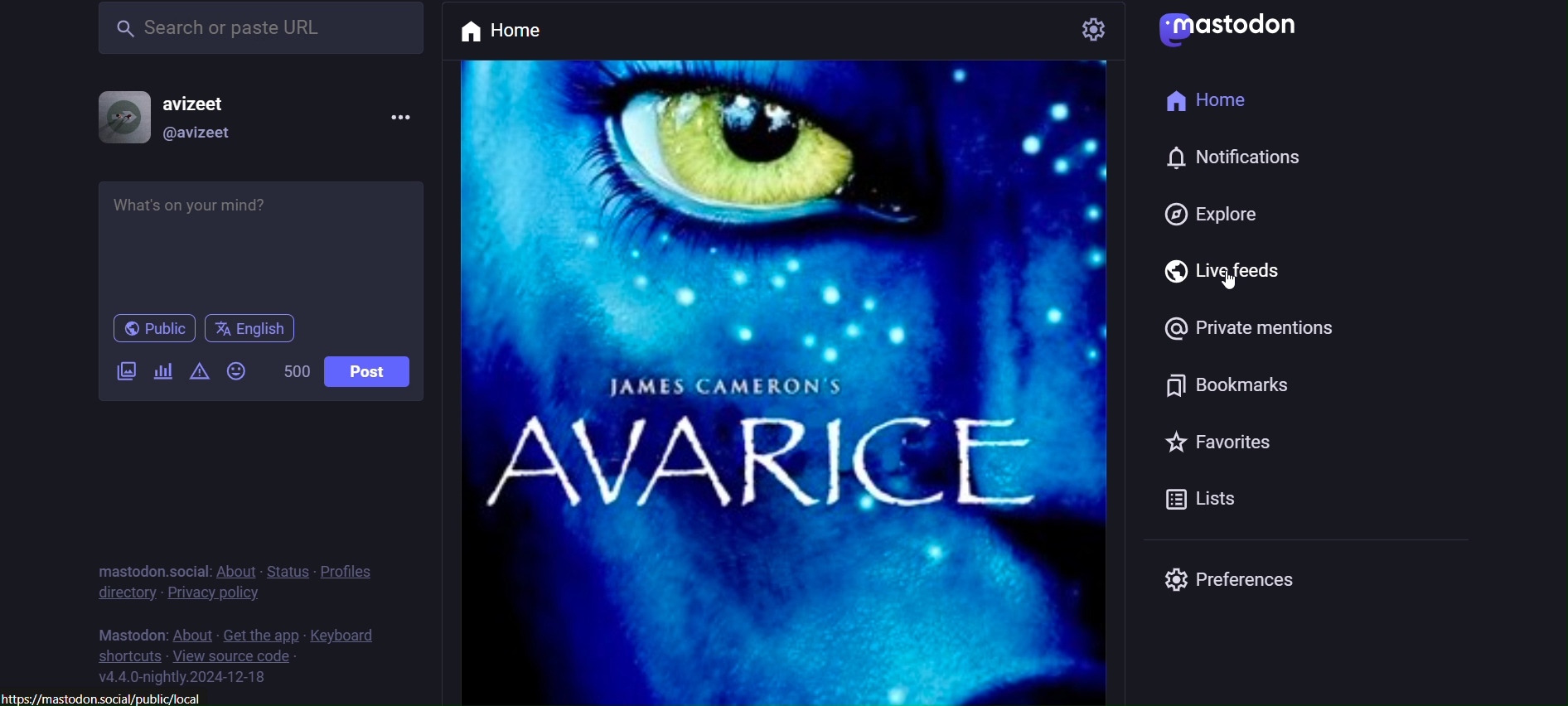  Describe the element at coordinates (1222, 442) in the screenshot. I see `favorites` at that location.